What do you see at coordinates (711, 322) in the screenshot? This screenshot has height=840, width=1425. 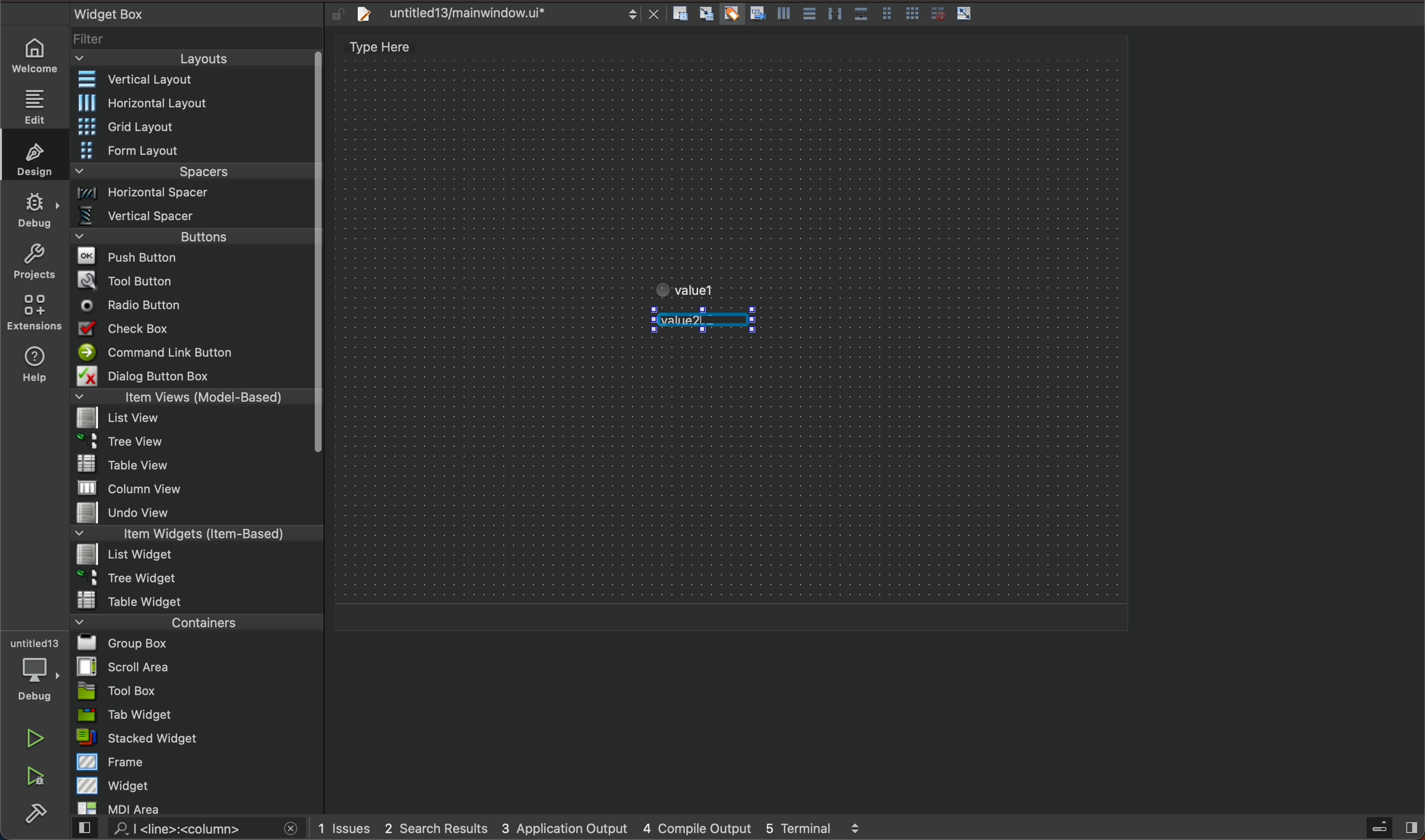 I see `start typing` at bounding box center [711, 322].